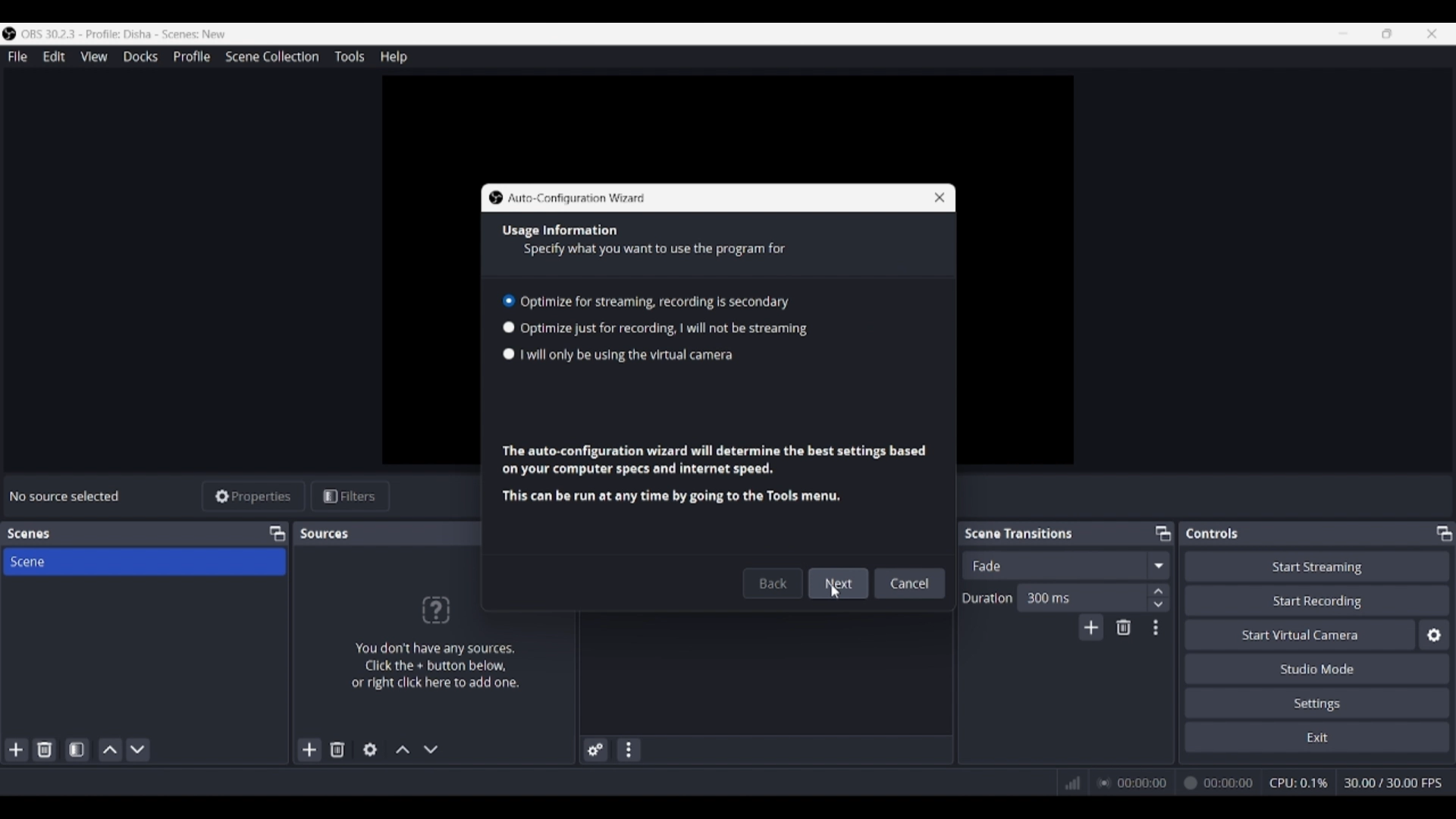  I want to click on Remove configurble transition, so click(1124, 627).